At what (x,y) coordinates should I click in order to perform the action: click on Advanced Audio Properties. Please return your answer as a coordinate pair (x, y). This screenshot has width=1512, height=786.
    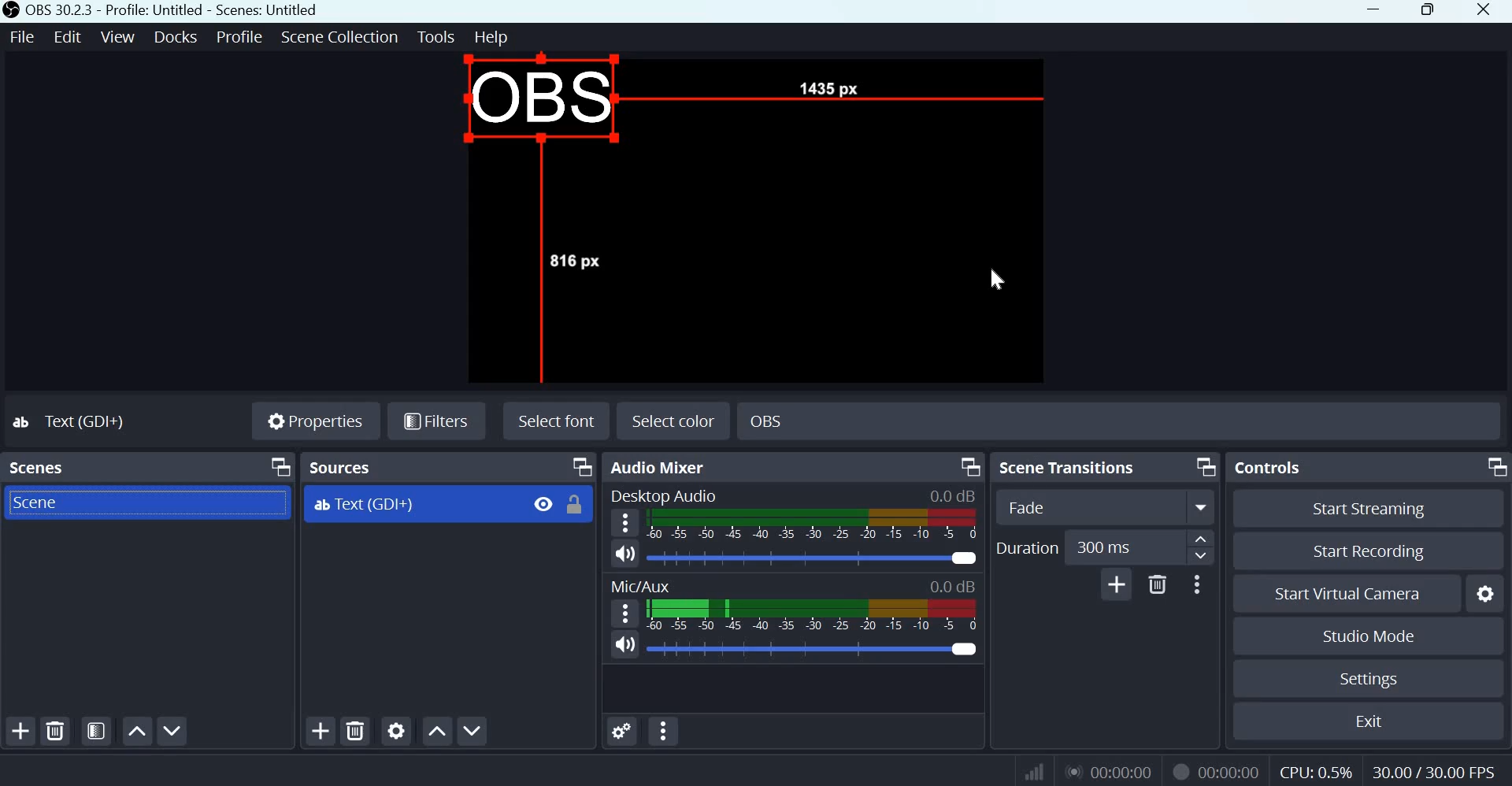
    Looking at the image, I should click on (623, 731).